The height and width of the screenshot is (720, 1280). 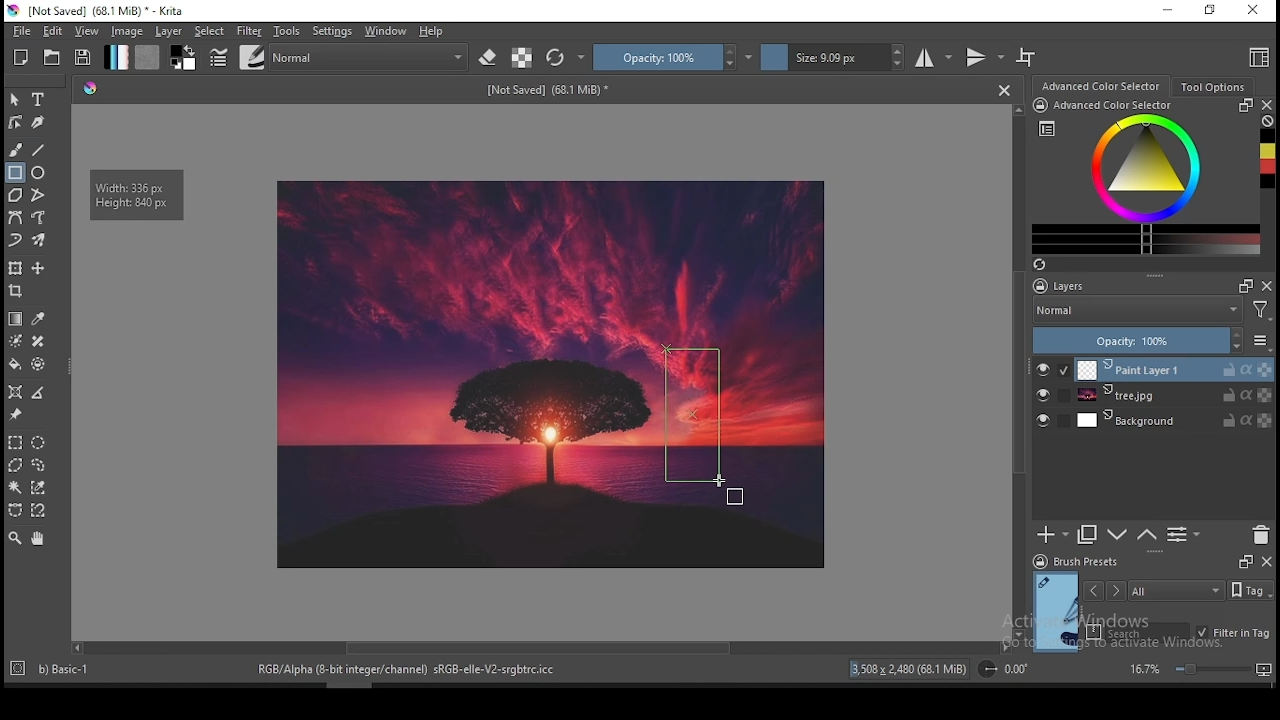 I want to click on assistant tool, so click(x=16, y=391).